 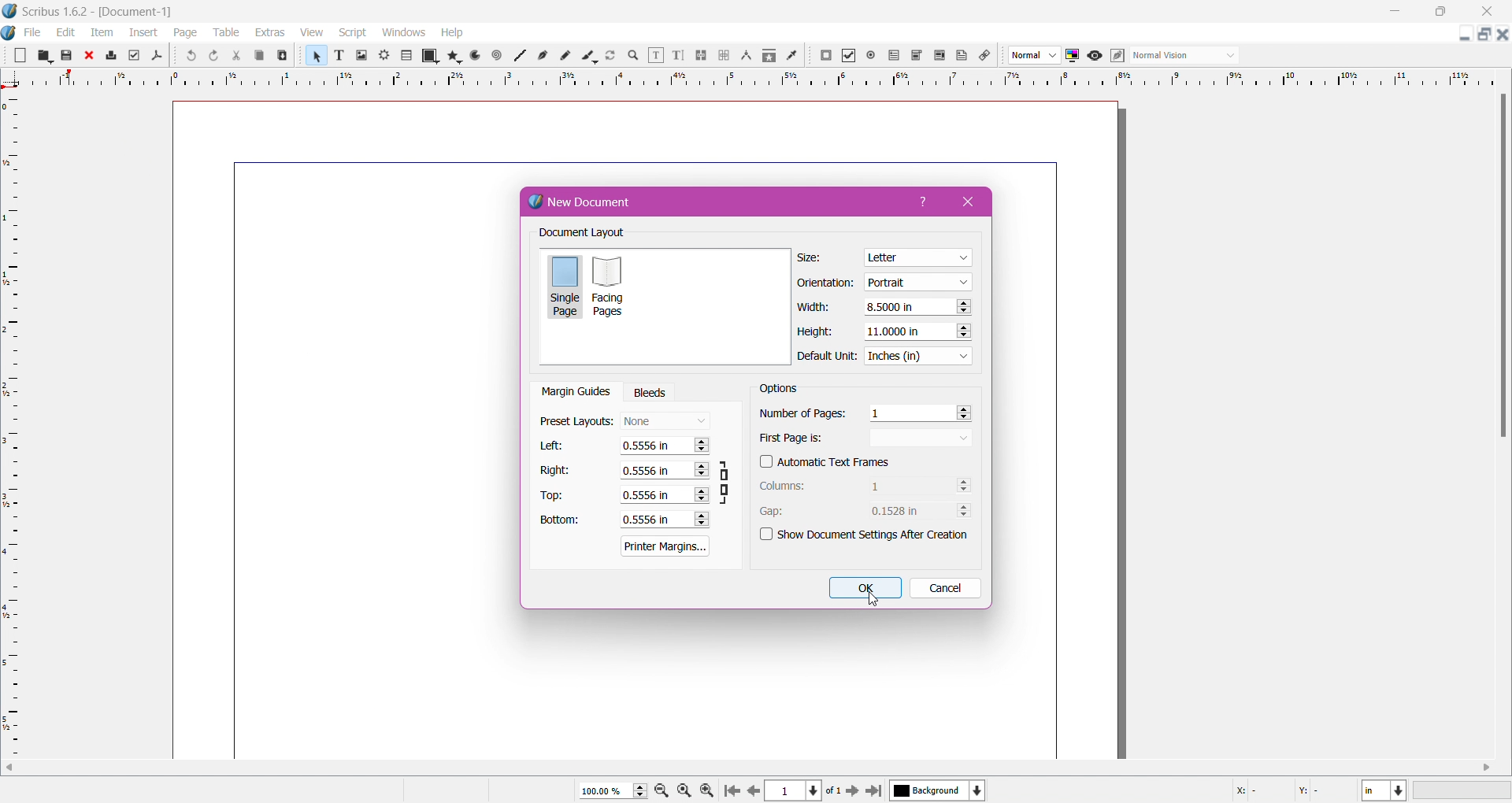 I want to click on icon, so click(x=914, y=55).